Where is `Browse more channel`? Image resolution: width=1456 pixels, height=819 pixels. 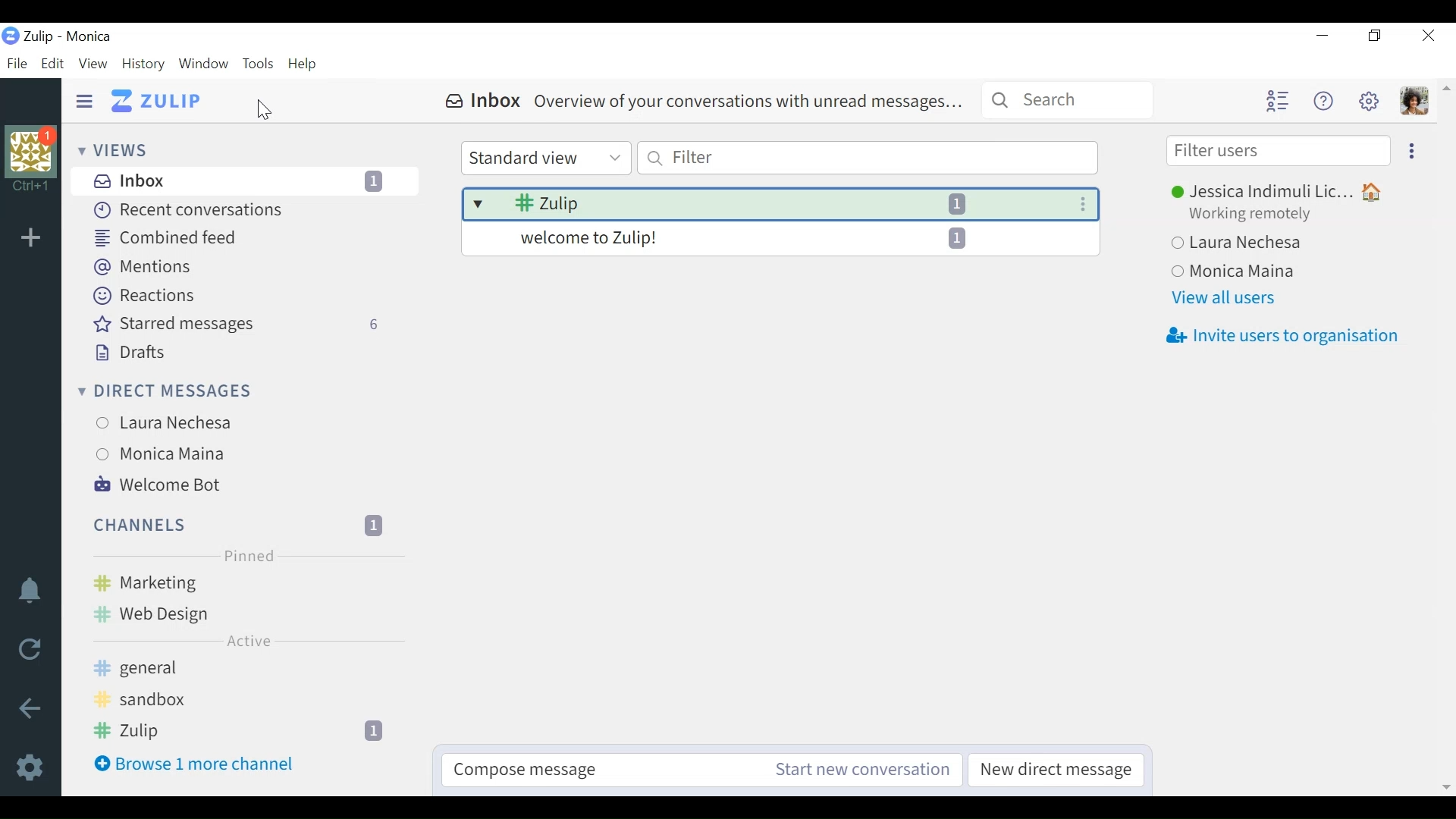 Browse more channel is located at coordinates (193, 764).